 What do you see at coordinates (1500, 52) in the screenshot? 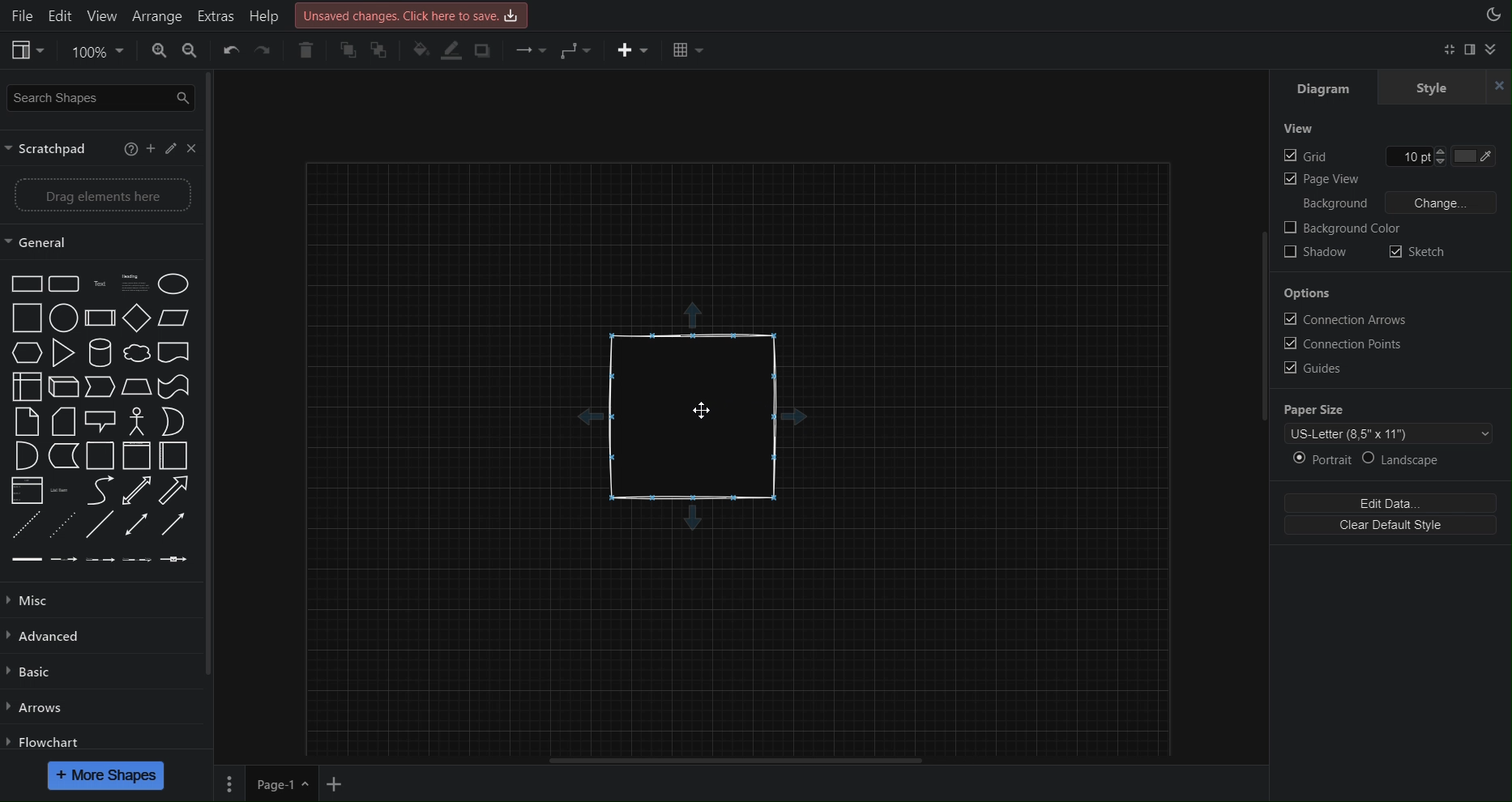
I see `Collapse` at bounding box center [1500, 52].